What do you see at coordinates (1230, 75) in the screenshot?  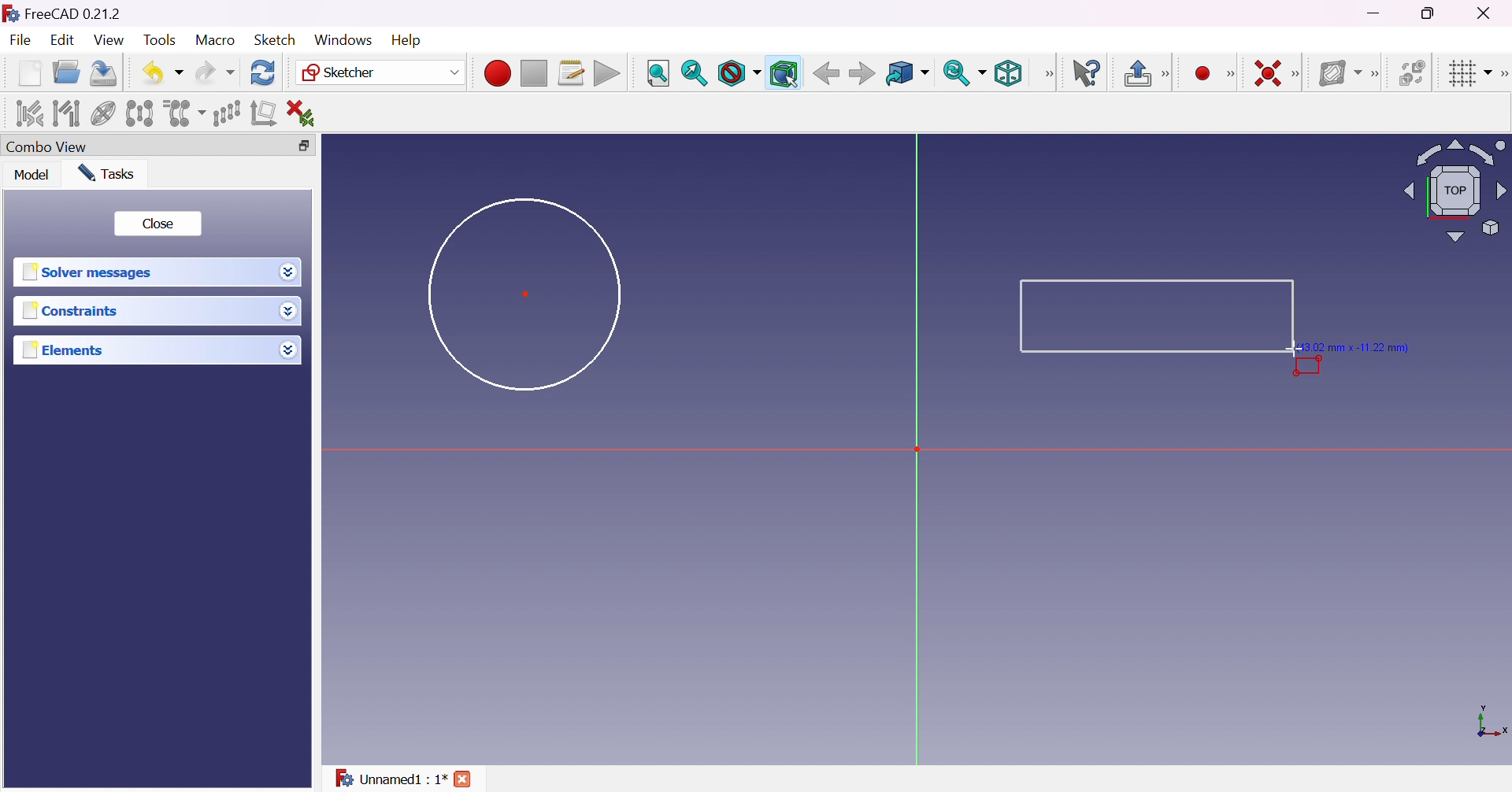 I see `Sketcher geometries` at bounding box center [1230, 75].